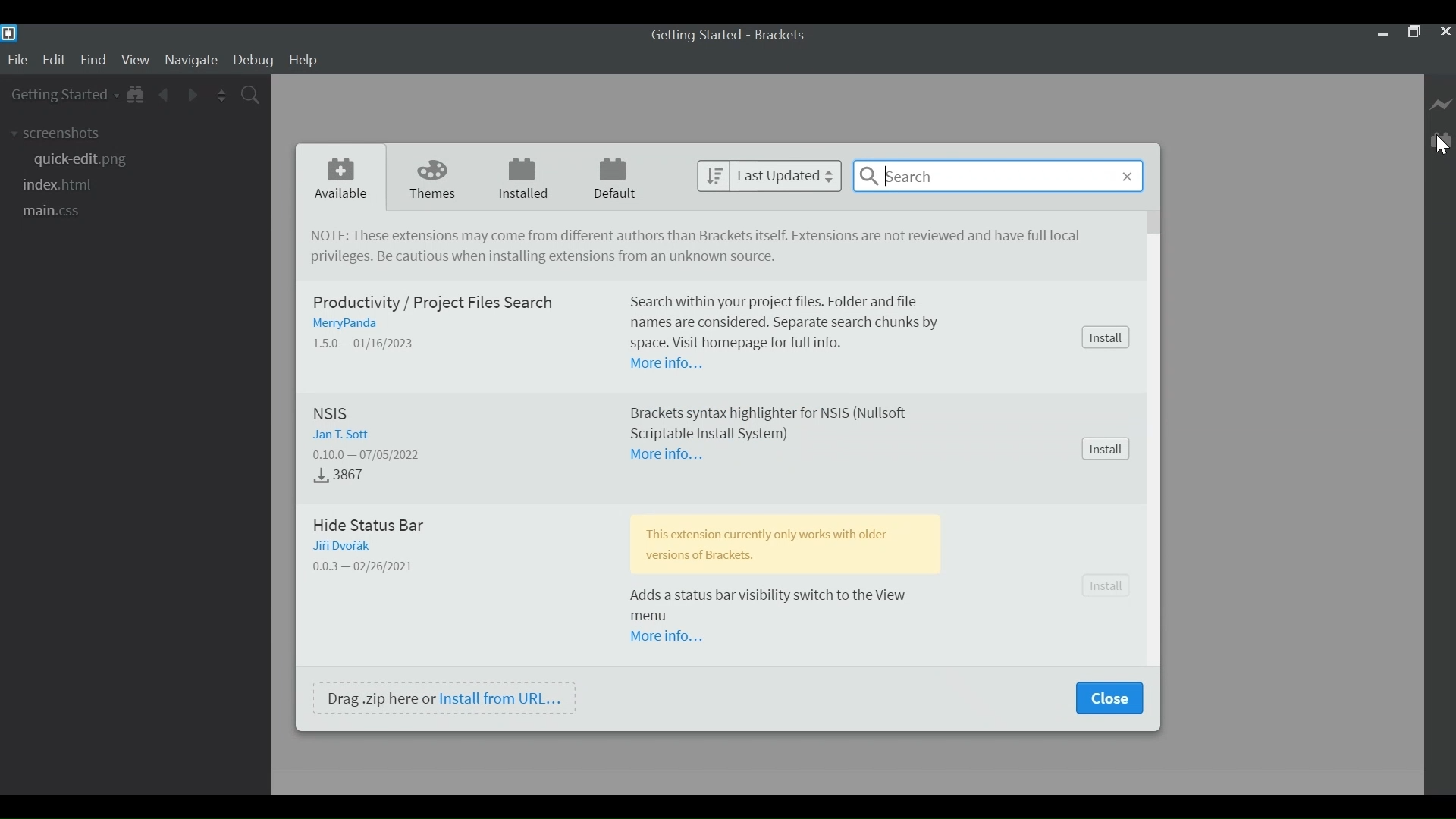 Image resolution: width=1456 pixels, height=819 pixels. I want to click on Brackets Desktop icon, so click(9, 33).